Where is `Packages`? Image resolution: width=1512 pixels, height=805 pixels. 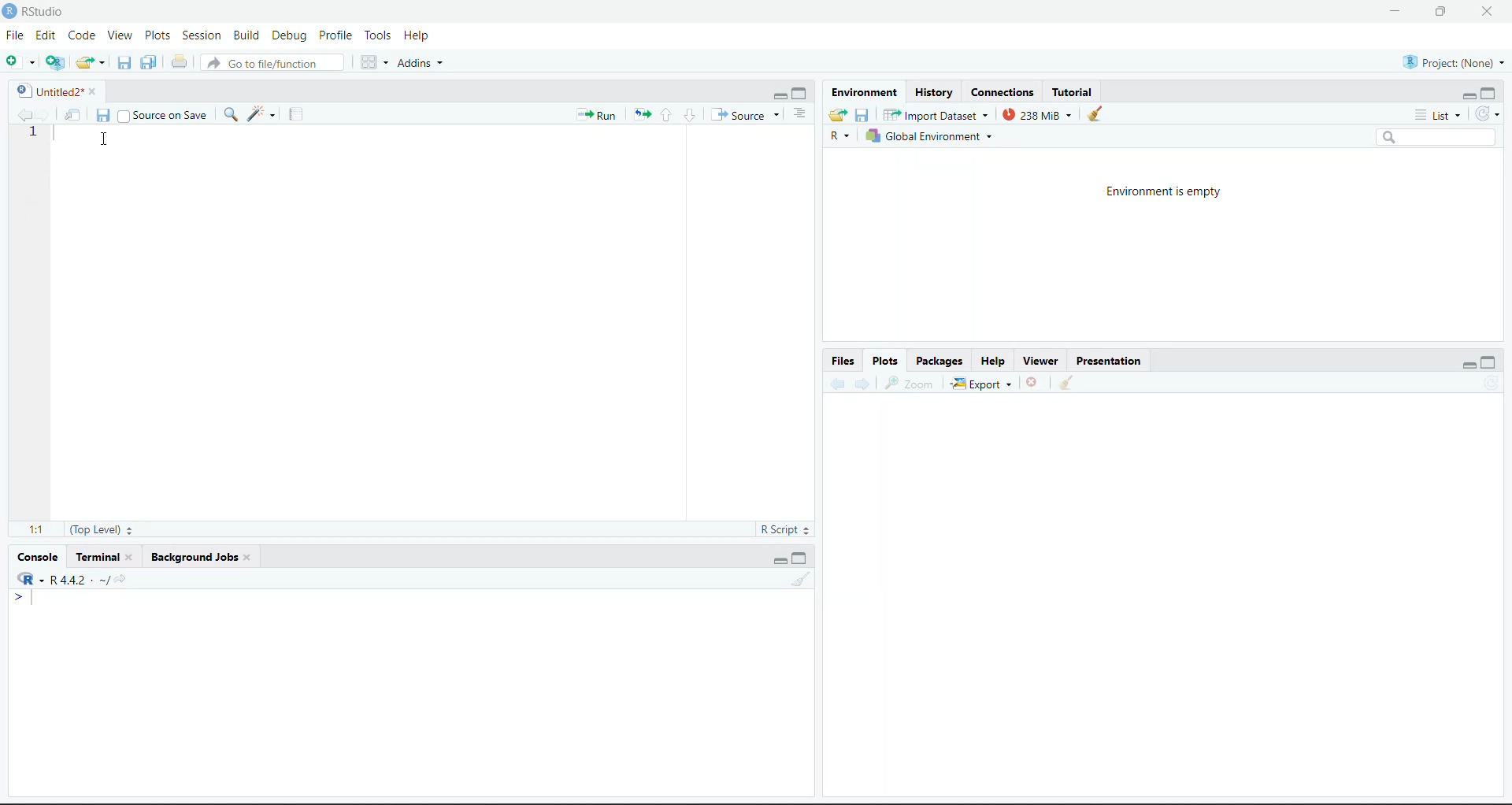
Packages is located at coordinates (940, 361).